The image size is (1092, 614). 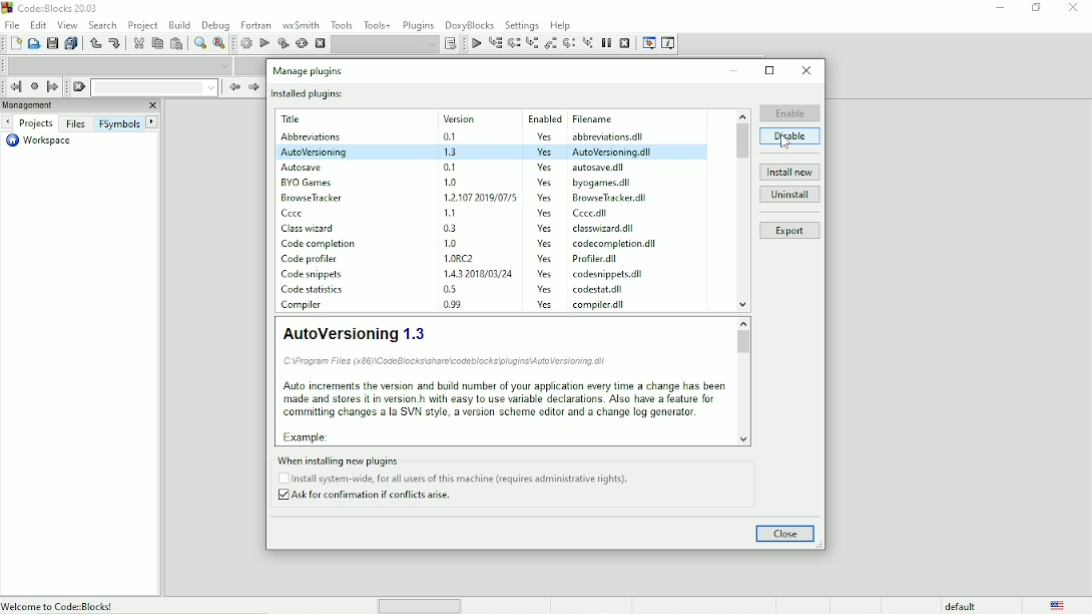 I want to click on 0.1, so click(x=450, y=167).